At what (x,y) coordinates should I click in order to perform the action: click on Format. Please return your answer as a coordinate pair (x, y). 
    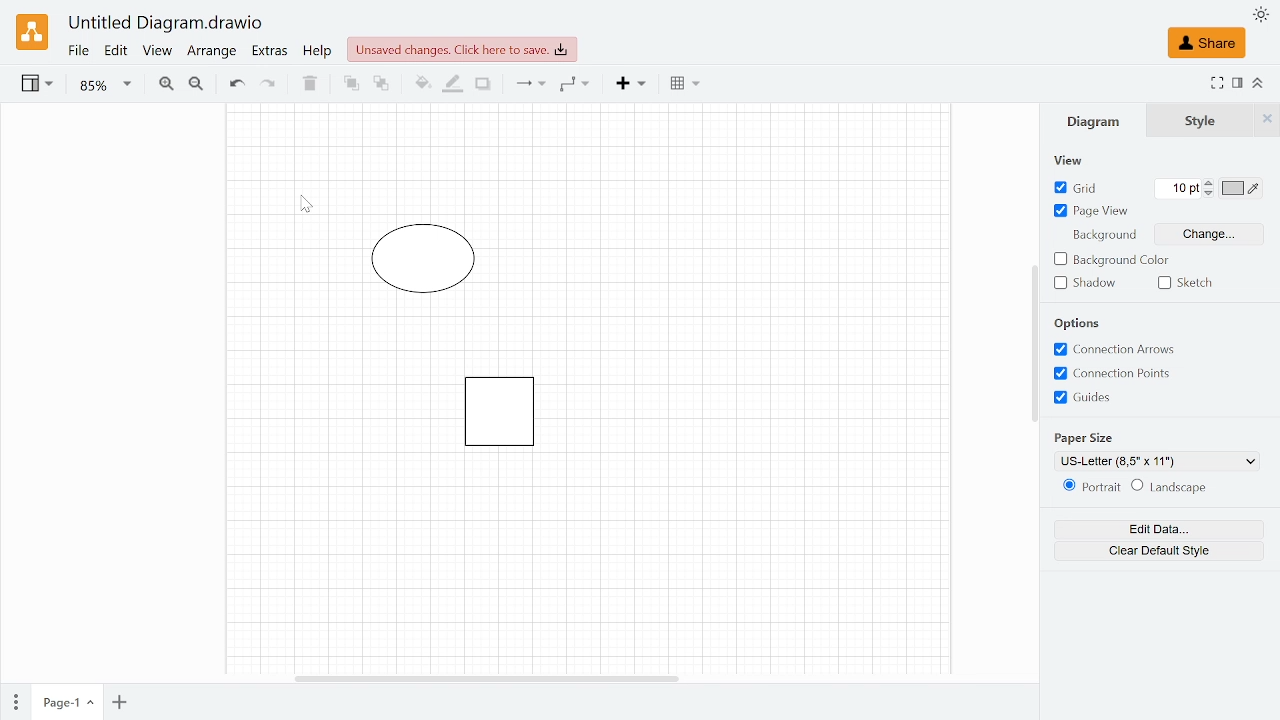
    Looking at the image, I should click on (1238, 83).